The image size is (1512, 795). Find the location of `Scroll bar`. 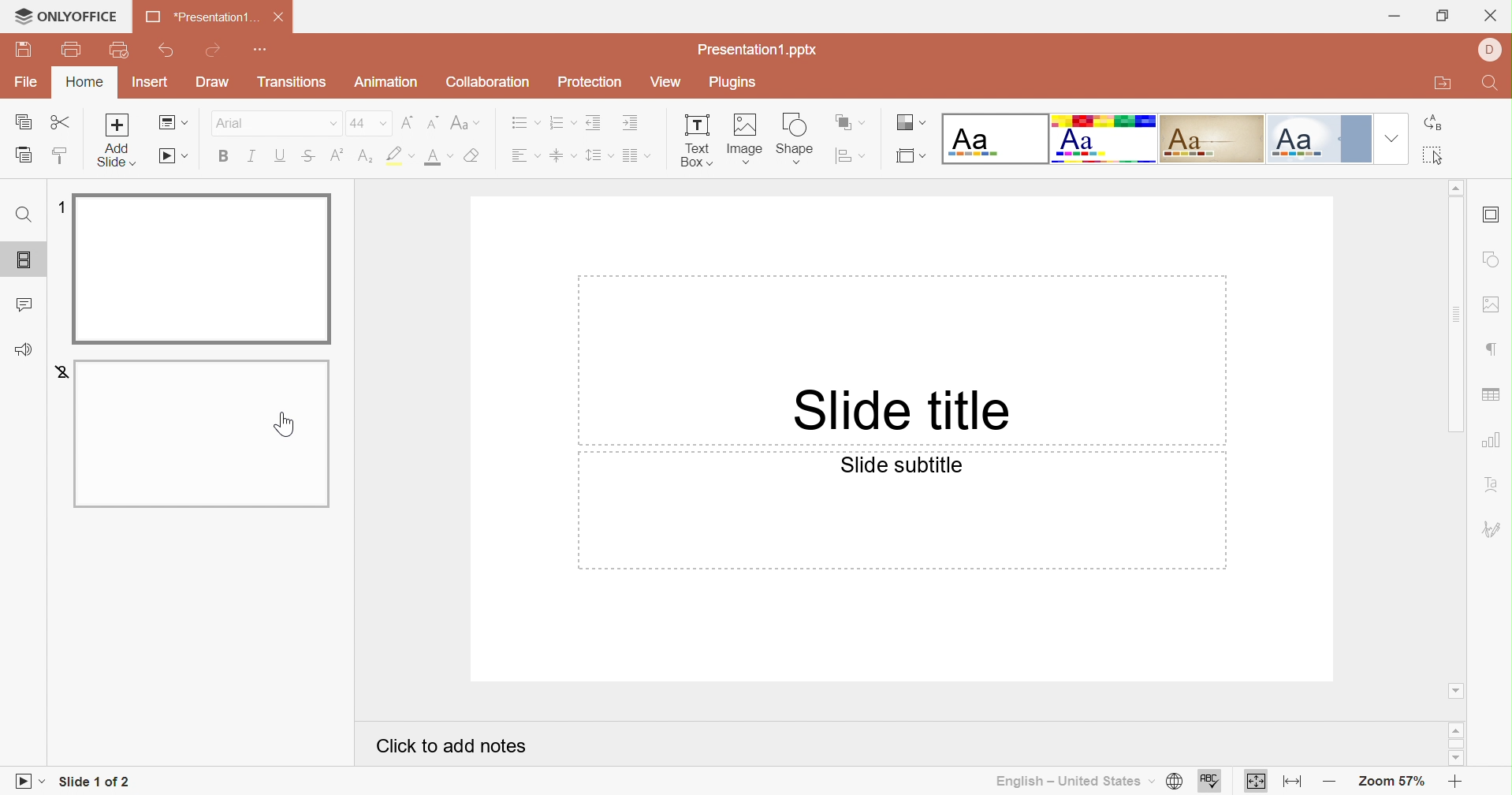

Scroll bar is located at coordinates (1455, 744).